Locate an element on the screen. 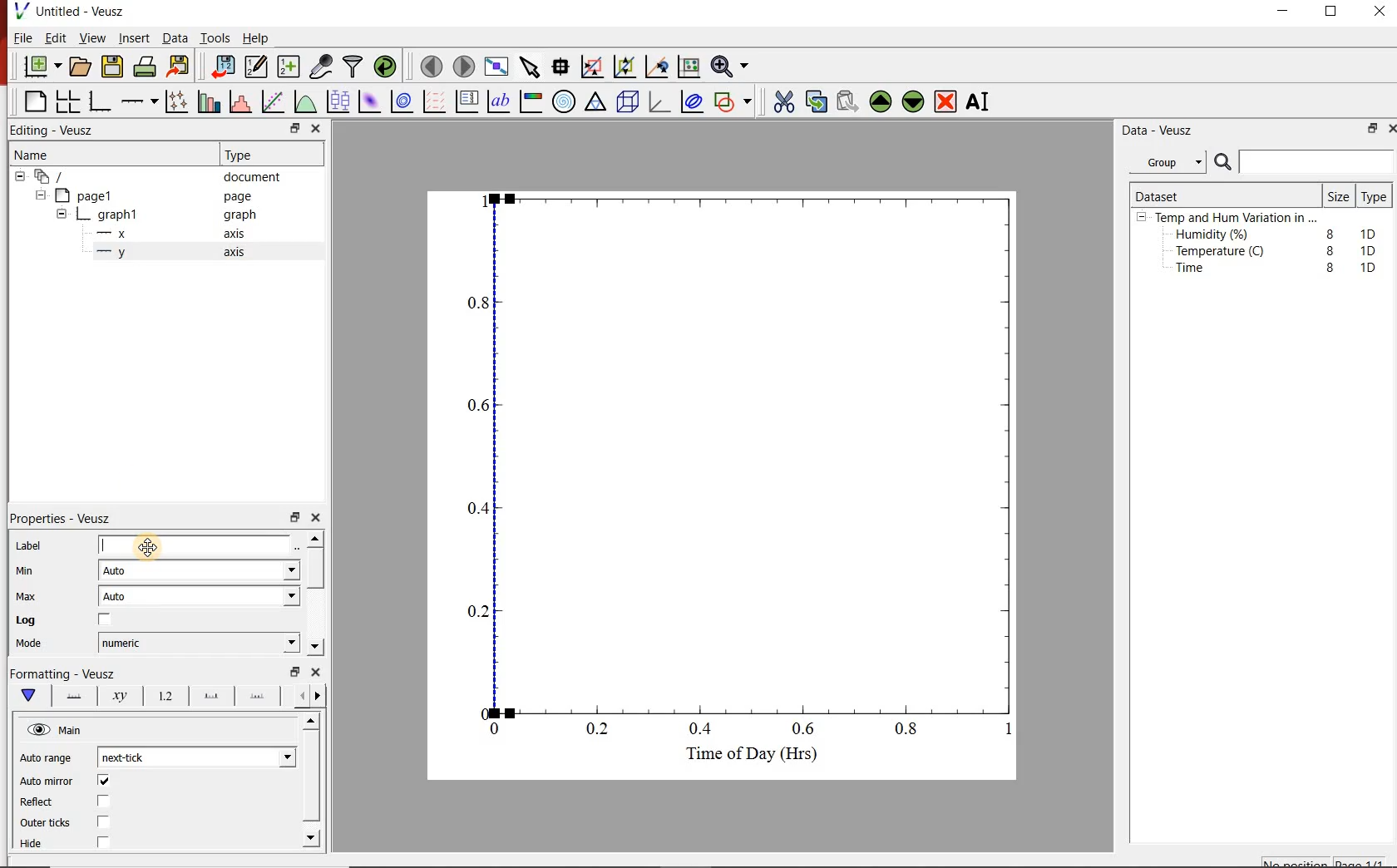 This screenshot has width=1397, height=868. Edit is located at coordinates (56, 40).